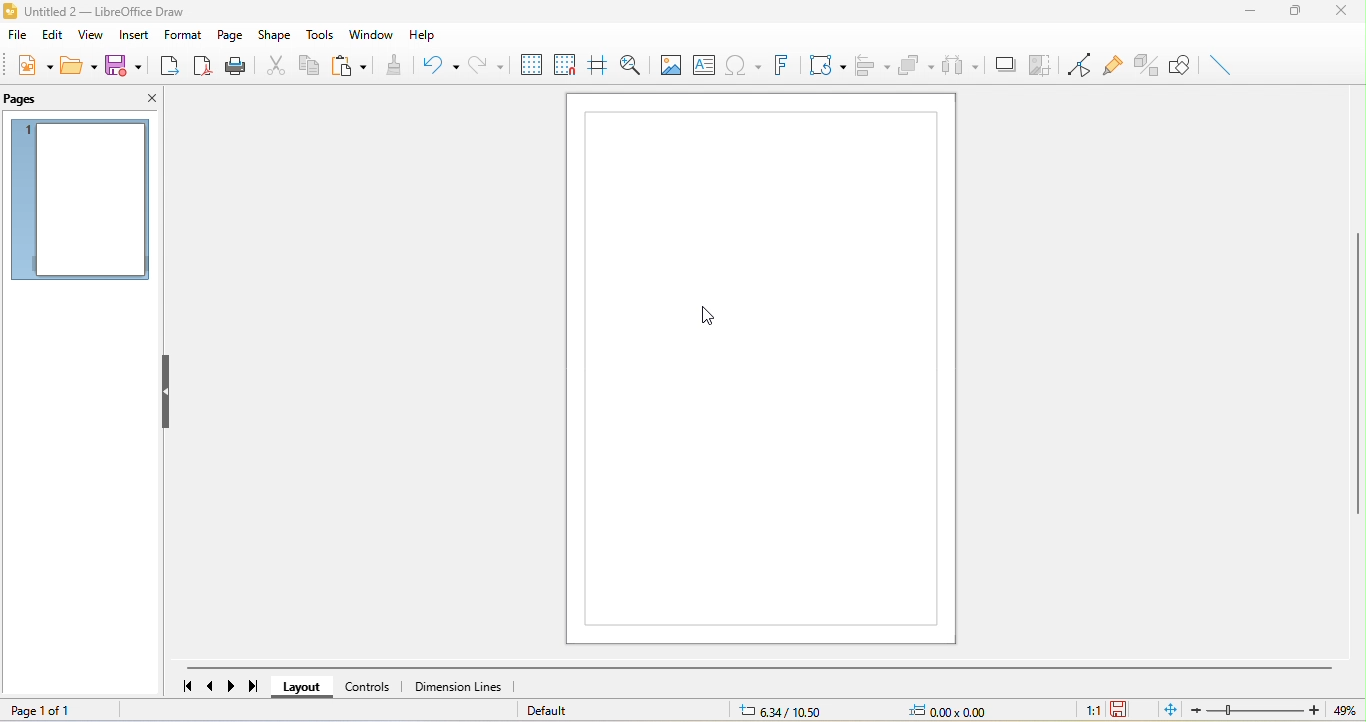 This screenshot has width=1366, height=722. I want to click on display grid, so click(531, 64).